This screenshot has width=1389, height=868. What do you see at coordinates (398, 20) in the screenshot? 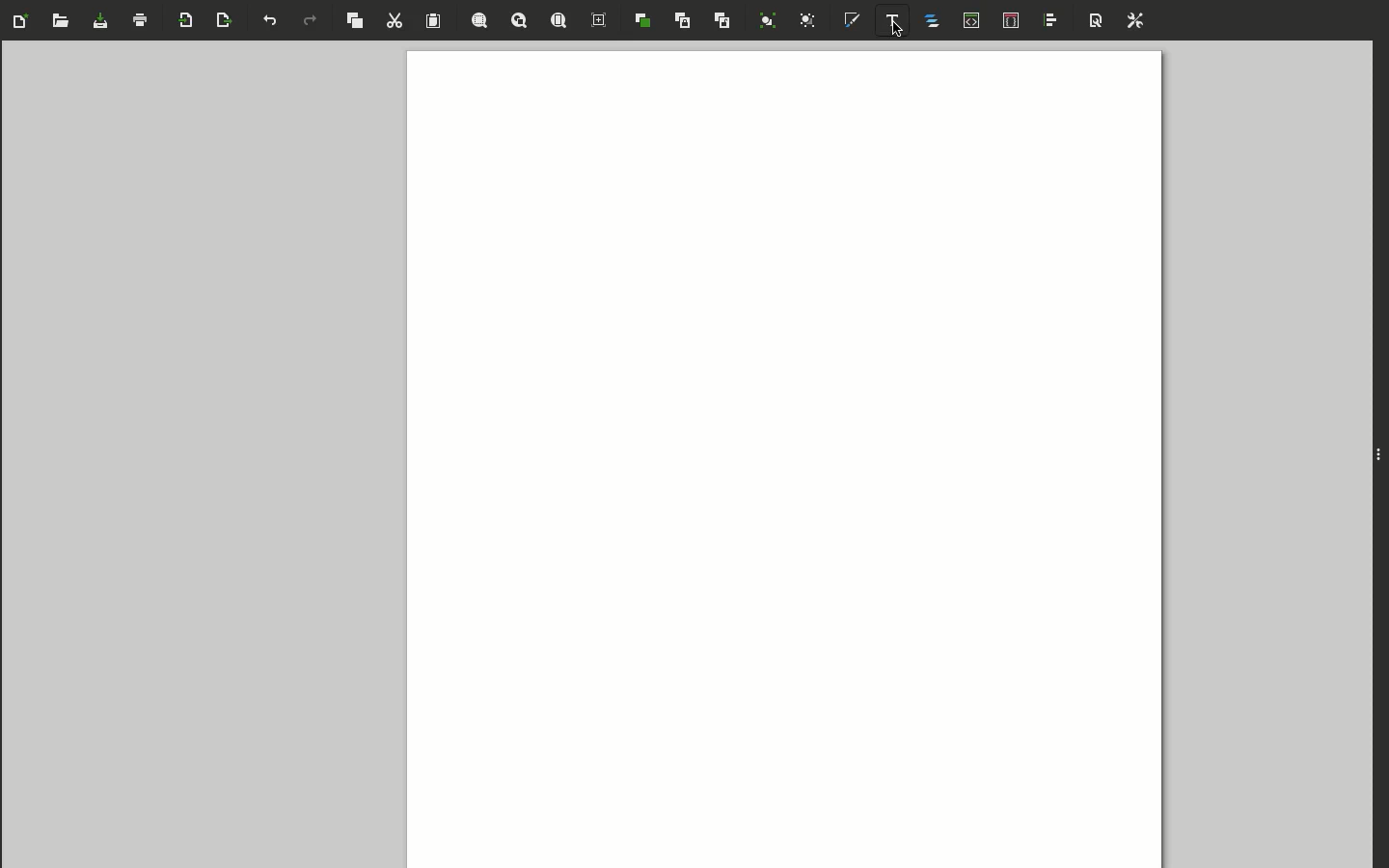
I see `Cut` at bounding box center [398, 20].